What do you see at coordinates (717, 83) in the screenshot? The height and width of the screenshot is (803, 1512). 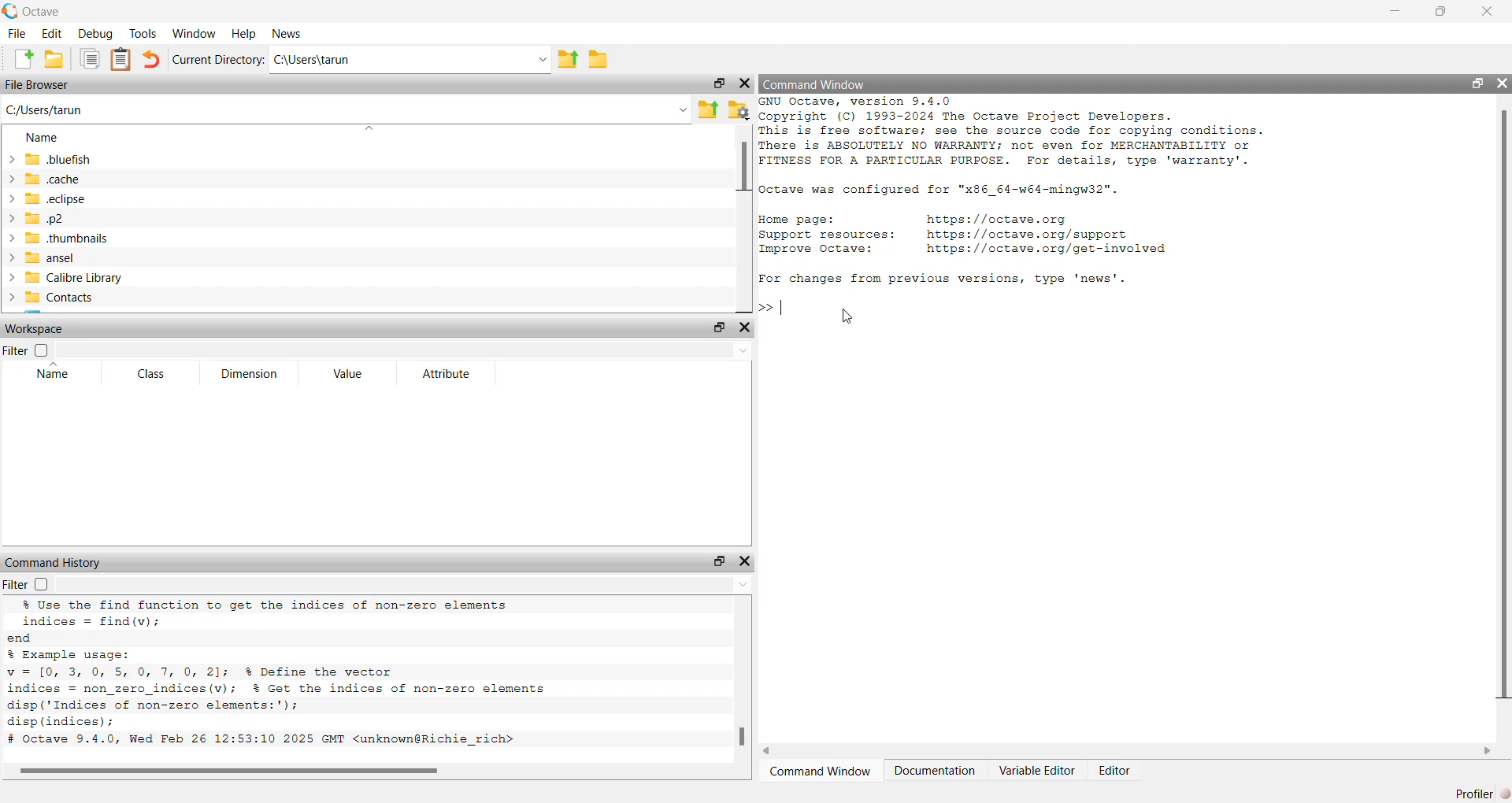 I see `restore down` at bounding box center [717, 83].